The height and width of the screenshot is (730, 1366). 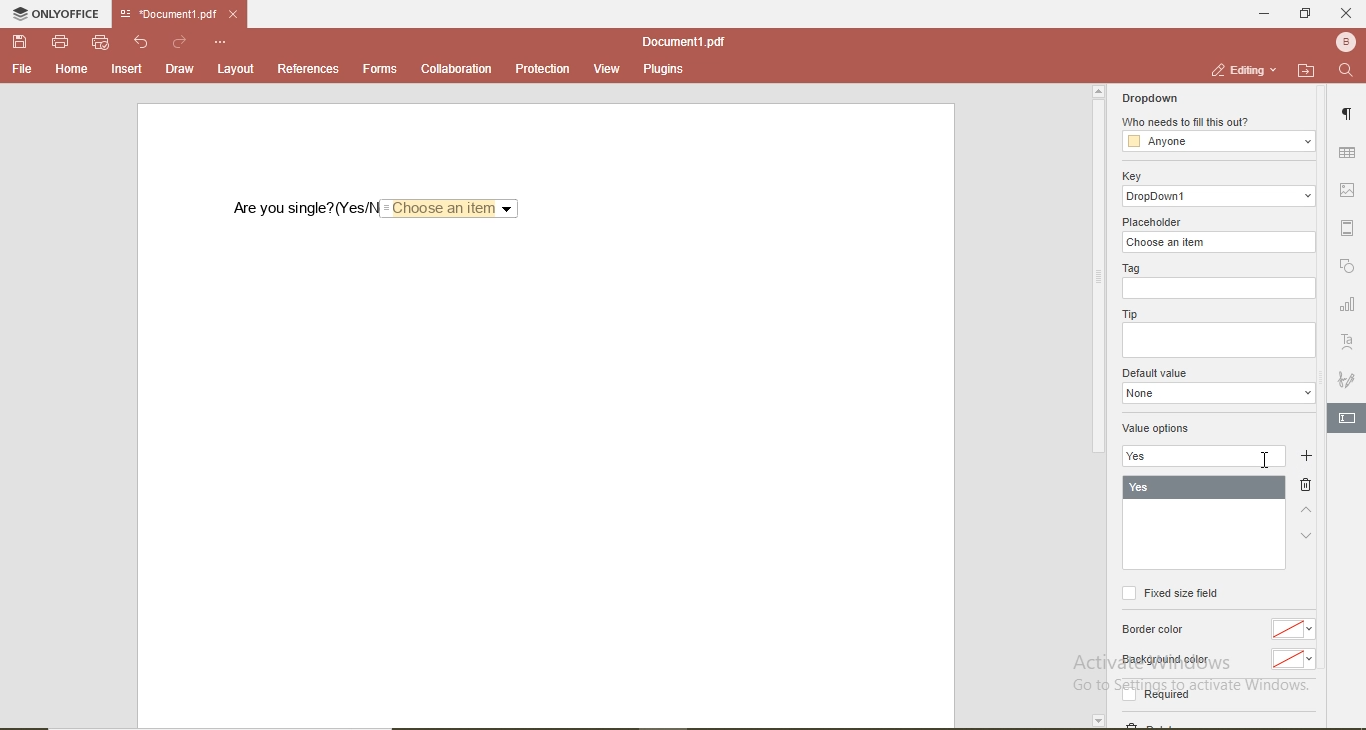 What do you see at coordinates (1350, 109) in the screenshot?
I see `paragraph` at bounding box center [1350, 109].